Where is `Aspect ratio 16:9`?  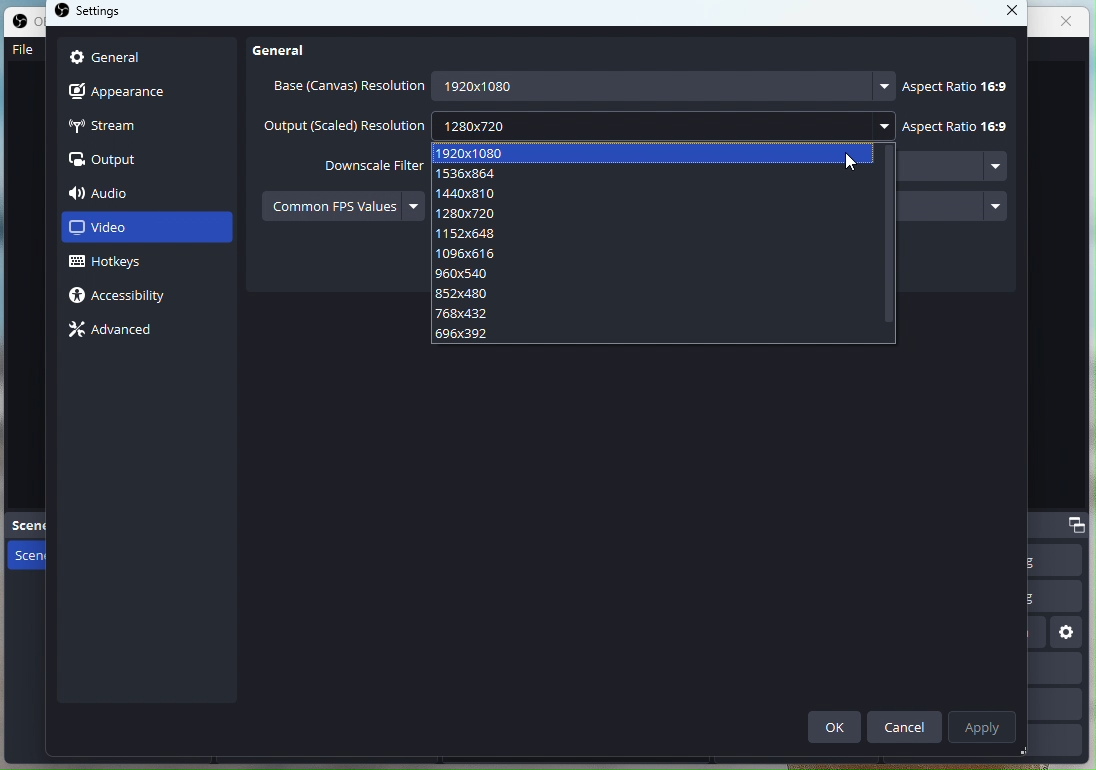 Aspect ratio 16:9 is located at coordinates (955, 126).